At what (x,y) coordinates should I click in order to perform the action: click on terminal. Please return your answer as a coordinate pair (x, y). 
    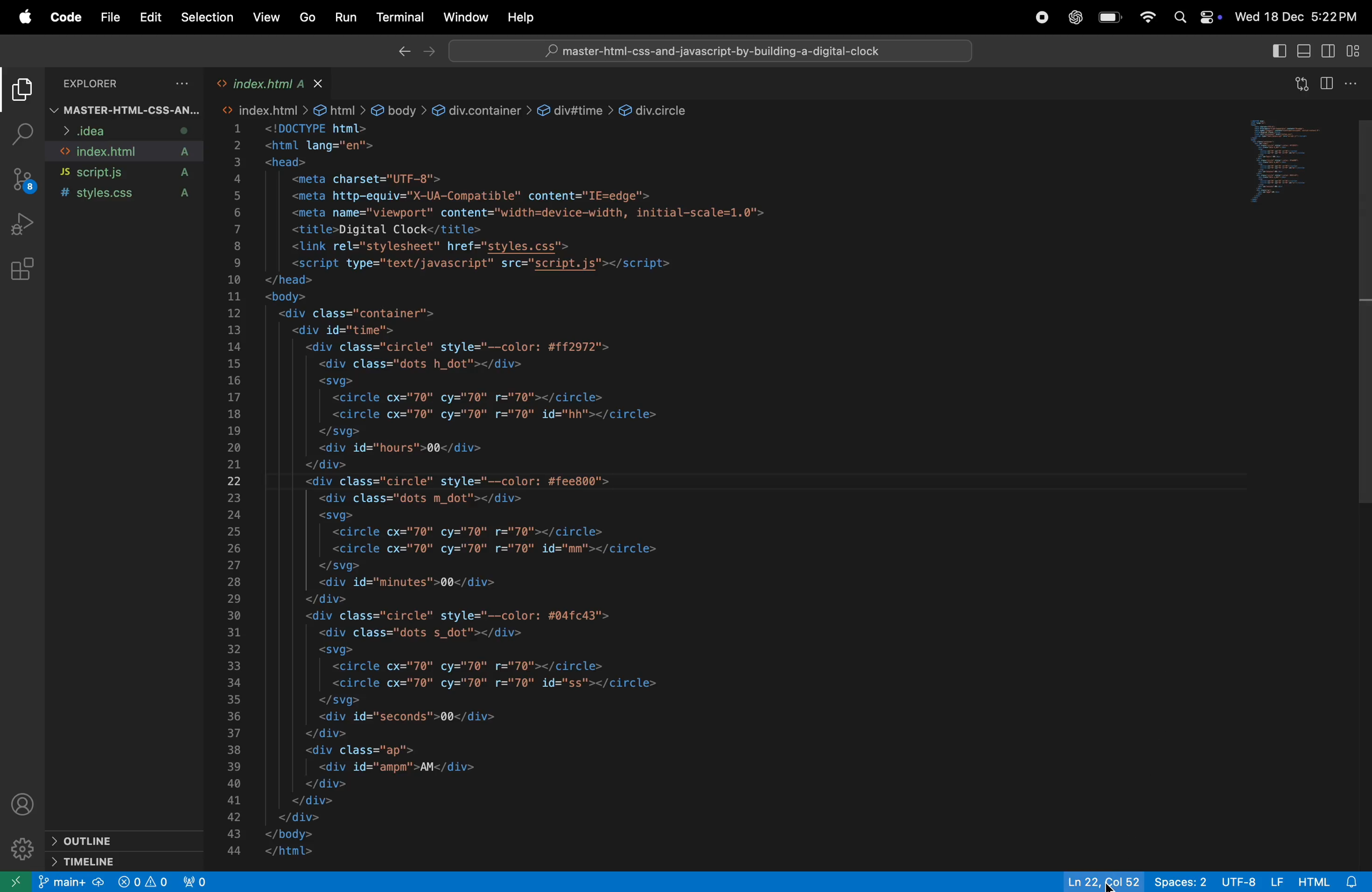
    Looking at the image, I should click on (399, 19).